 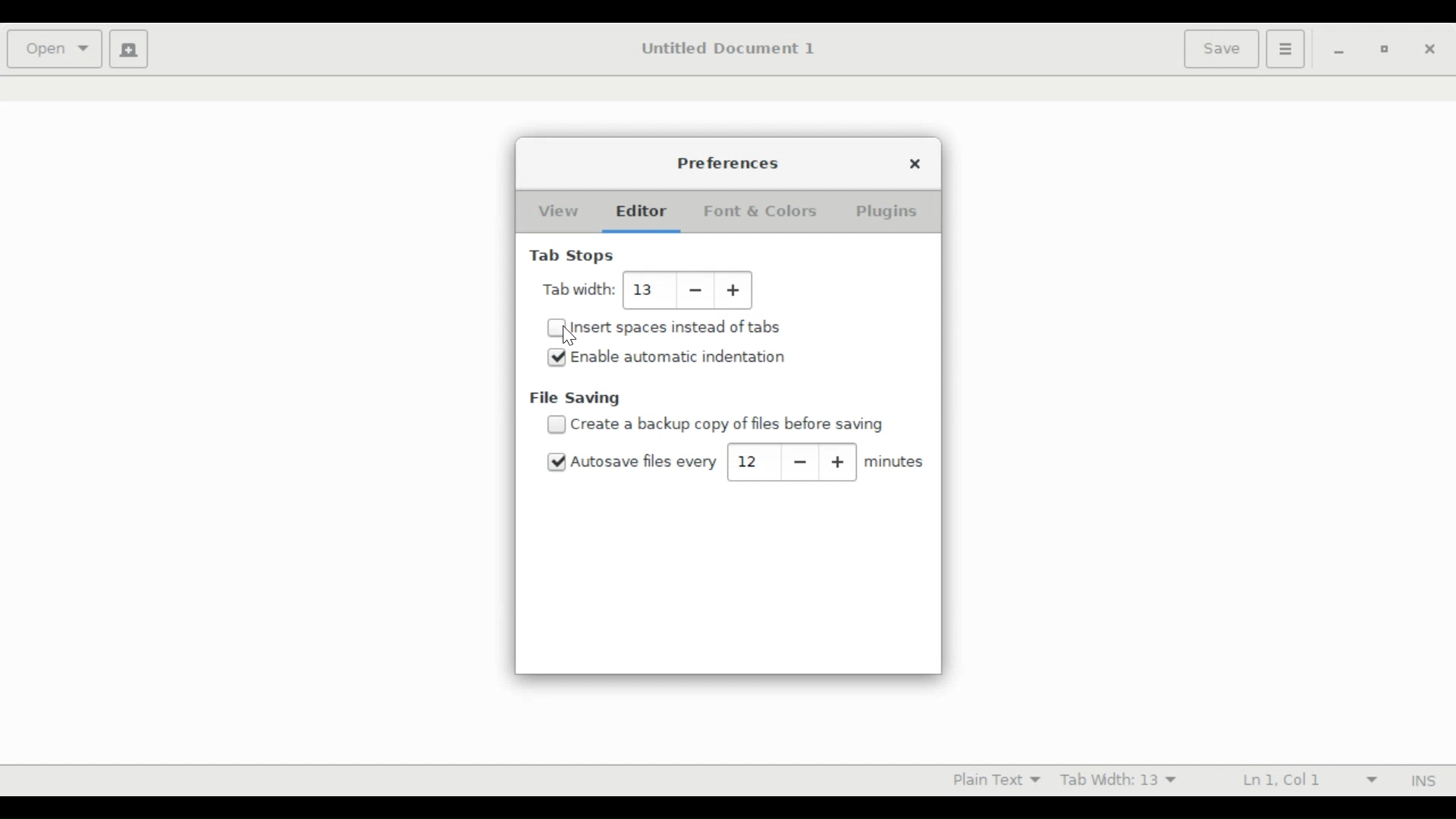 I want to click on Ln 1 Col 1, so click(x=1308, y=781).